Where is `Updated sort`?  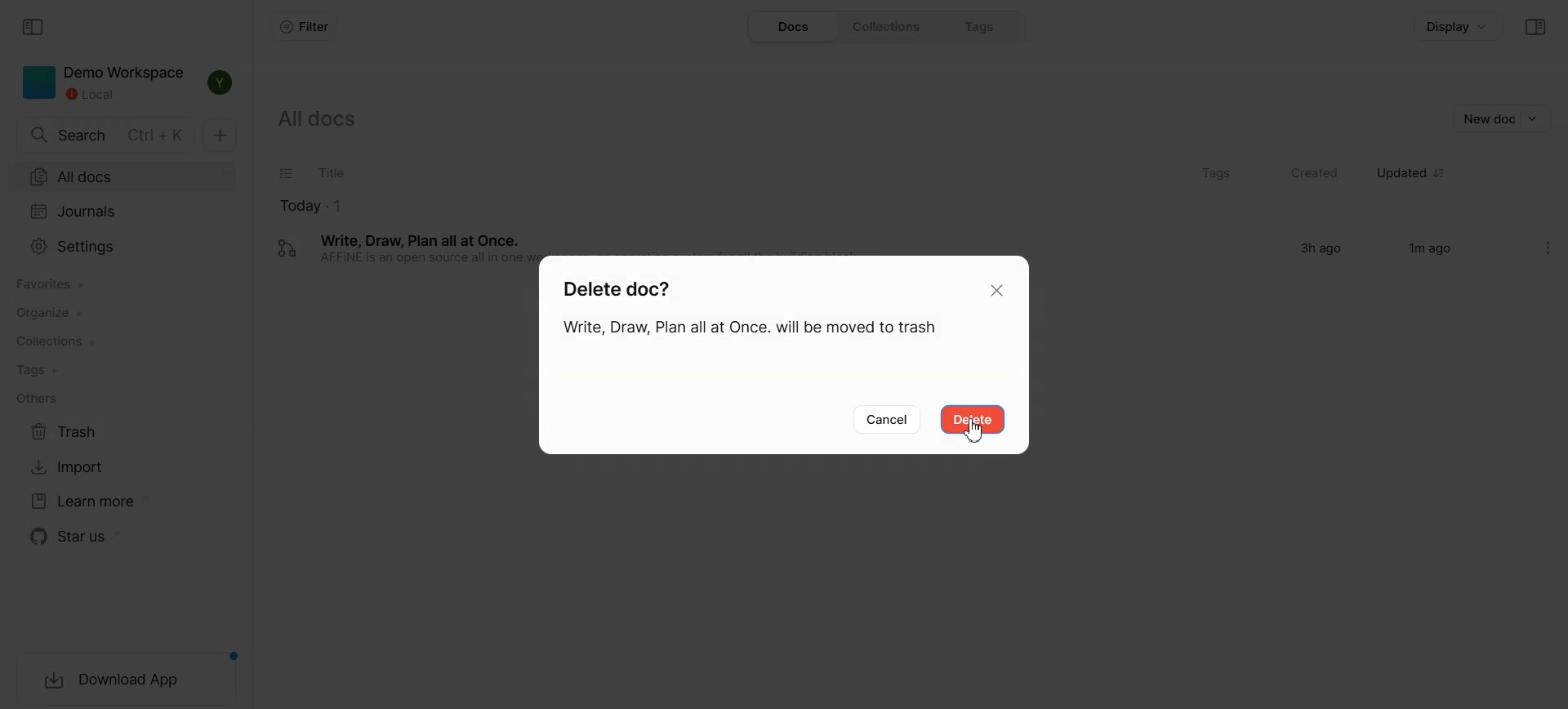 Updated sort is located at coordinates (1412, 175).